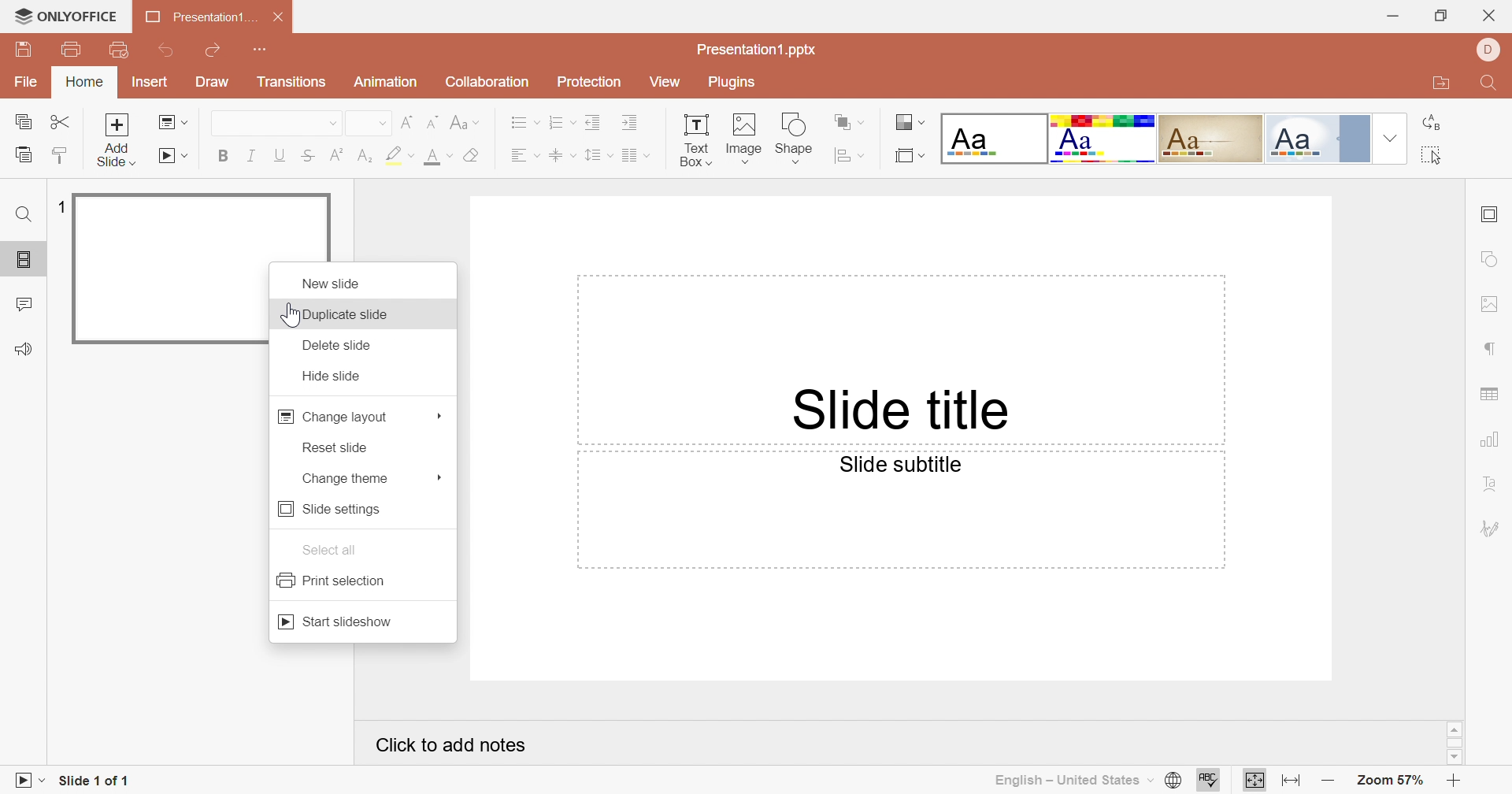 This screenshot has width=1512, height=794. Describe the element at coordinates (631, 157) in the screenshot. I see `Insert Columns` at that location.